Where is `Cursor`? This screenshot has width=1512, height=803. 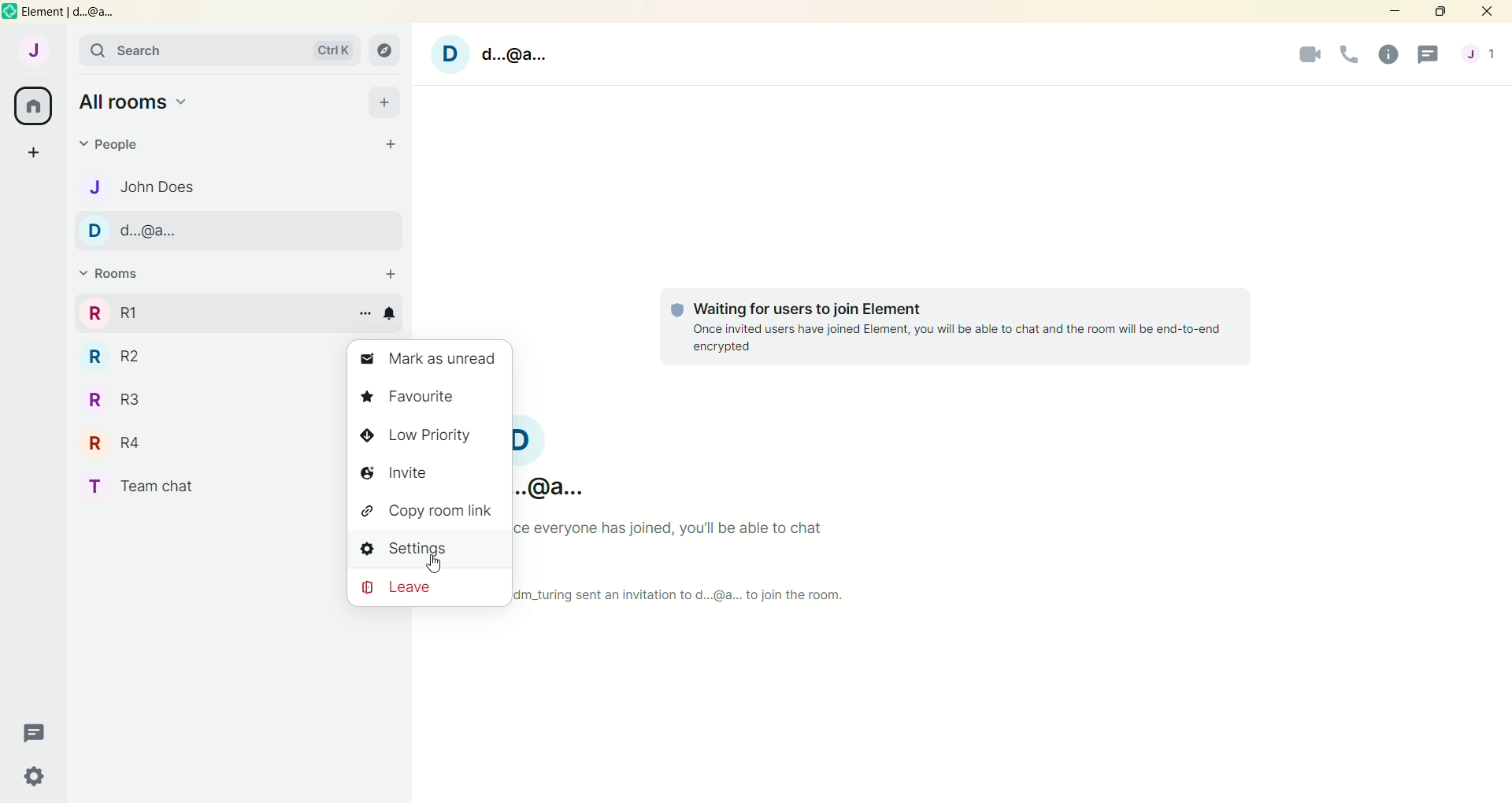
Cursor is located at coordinates (433, 564).